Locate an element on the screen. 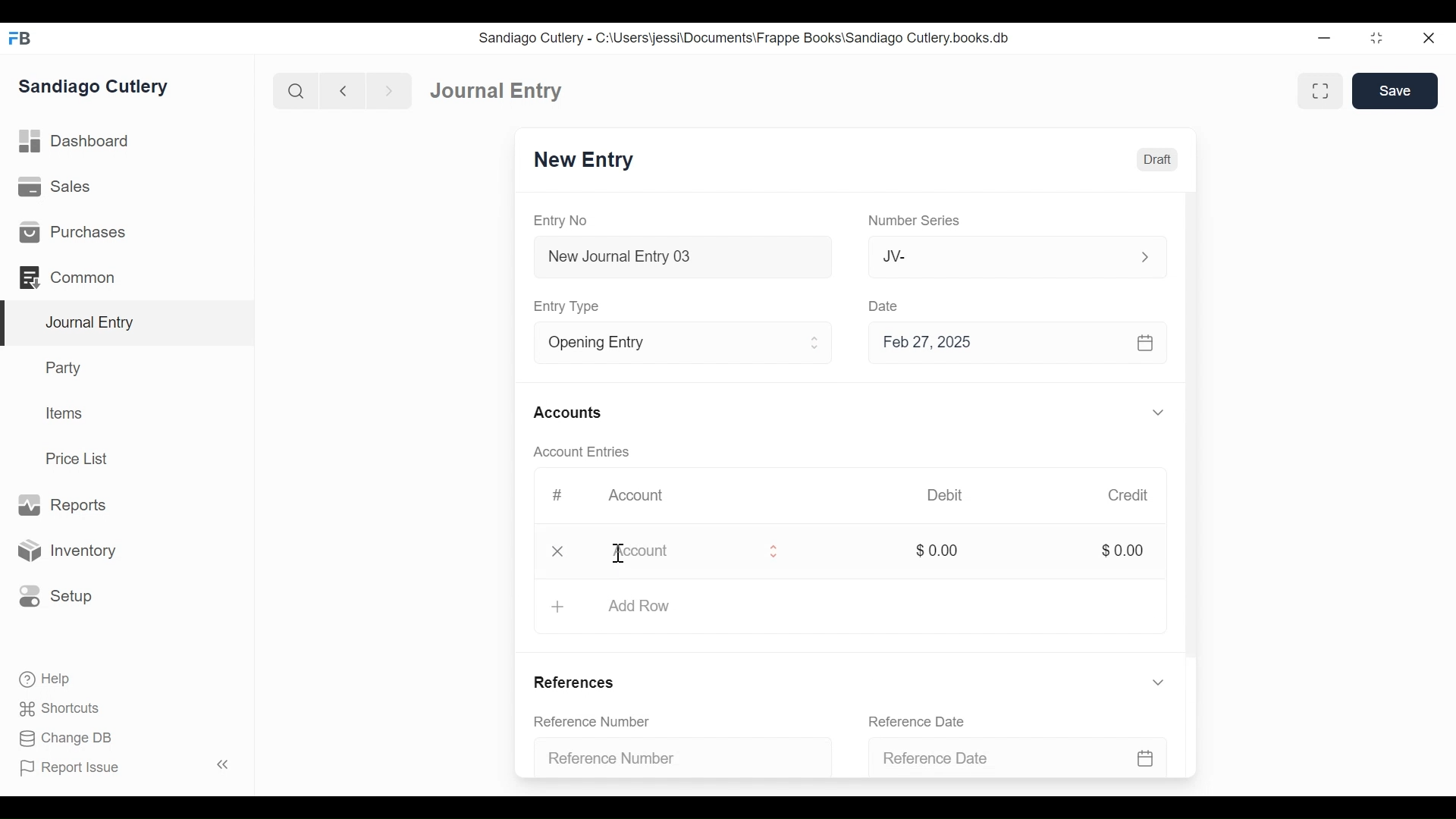  Setup is located at coordinates (56, 597).